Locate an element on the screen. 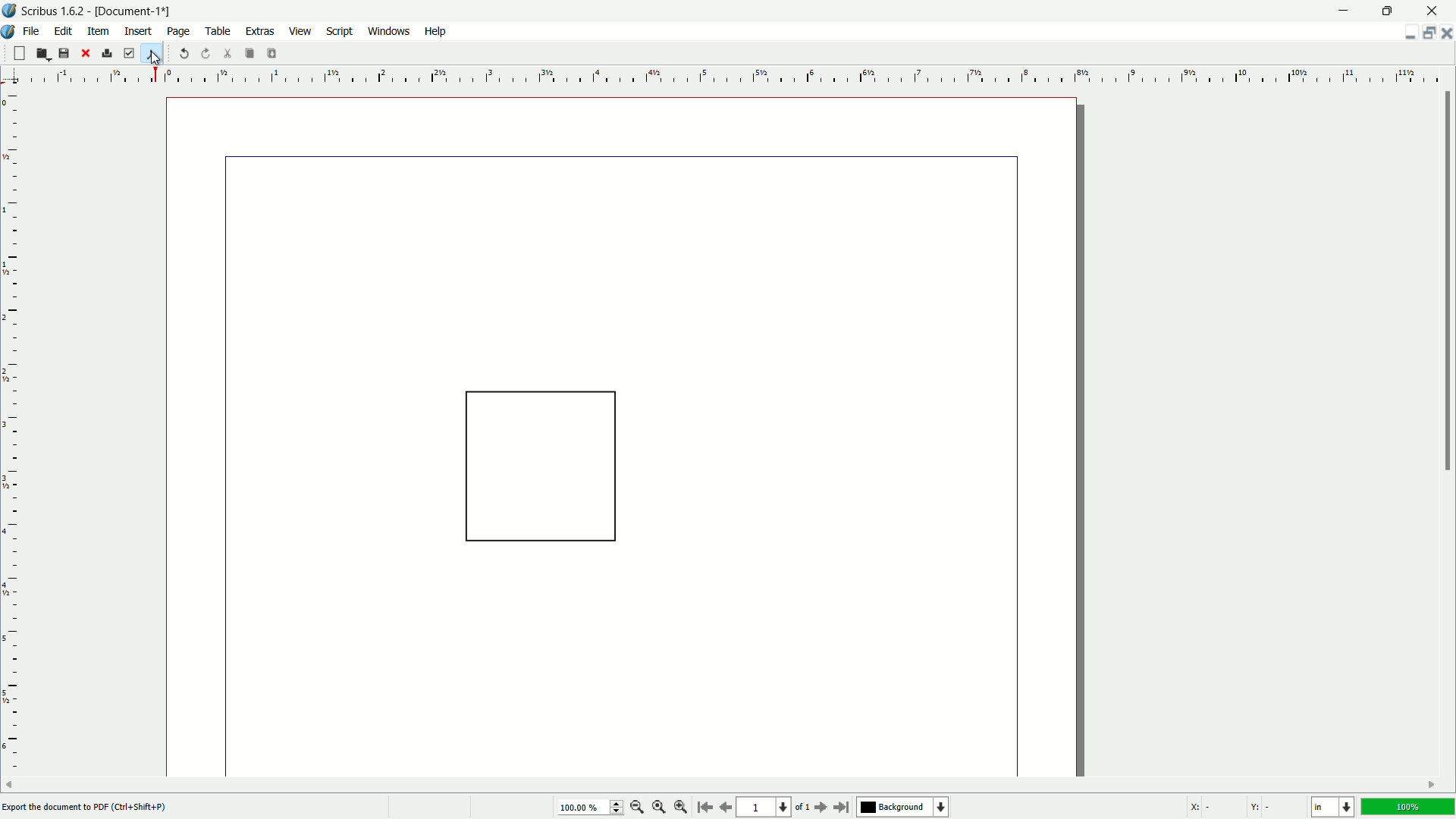 This screenshot has height=819, width=1456. go to start page is located at coordinates (701, 806).